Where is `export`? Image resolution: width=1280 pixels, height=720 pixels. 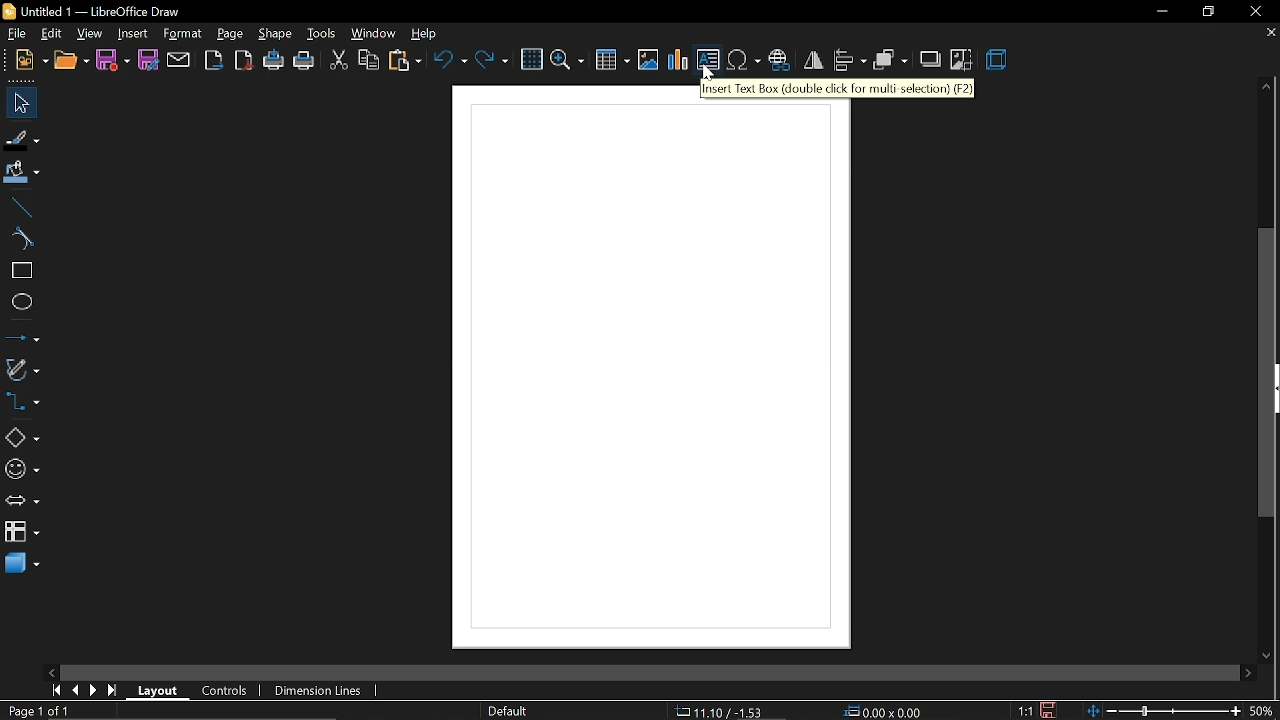 export is located at coordinates (213, 60).